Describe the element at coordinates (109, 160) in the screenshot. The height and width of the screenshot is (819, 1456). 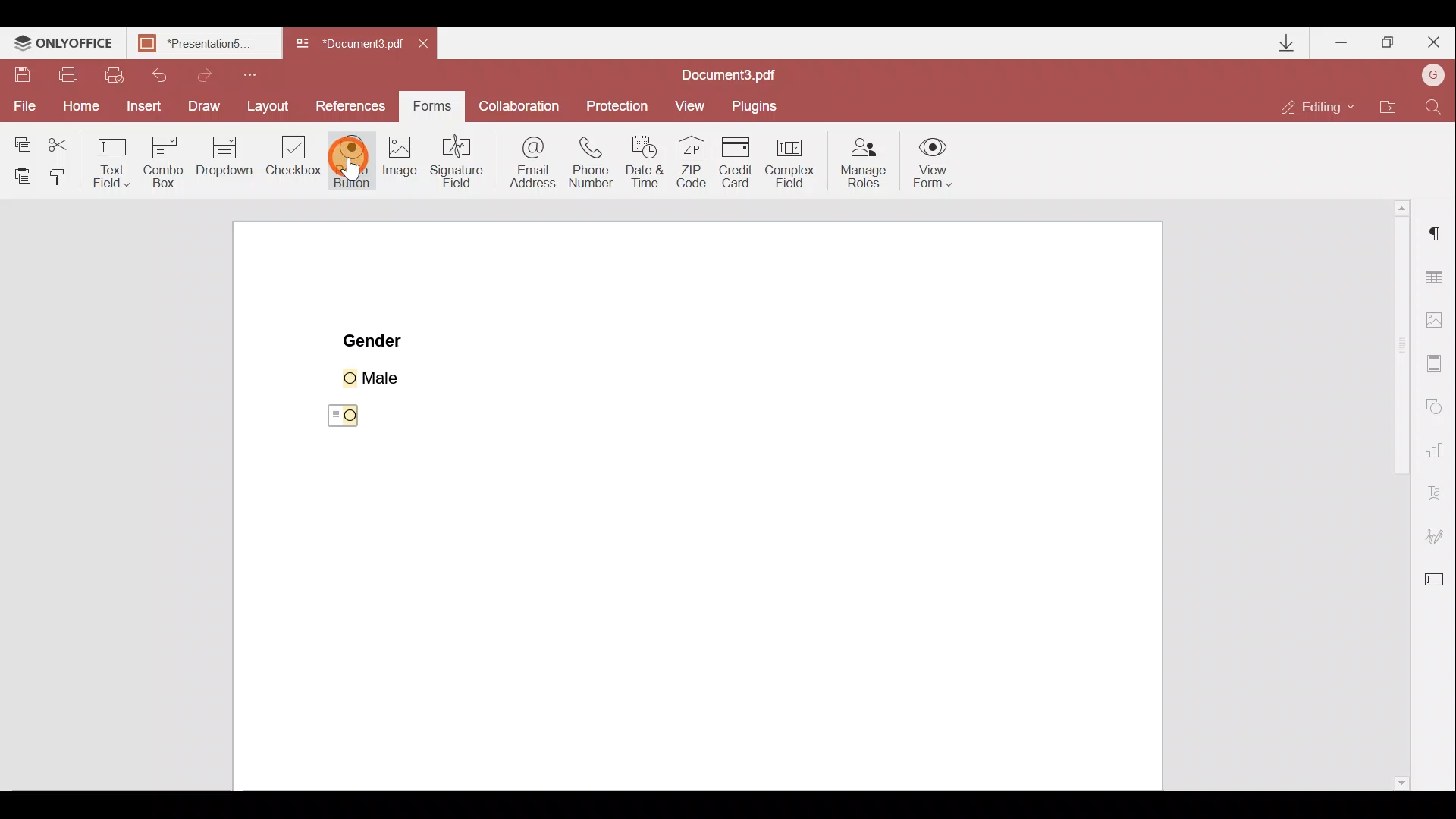
I see `Text field` at that location.